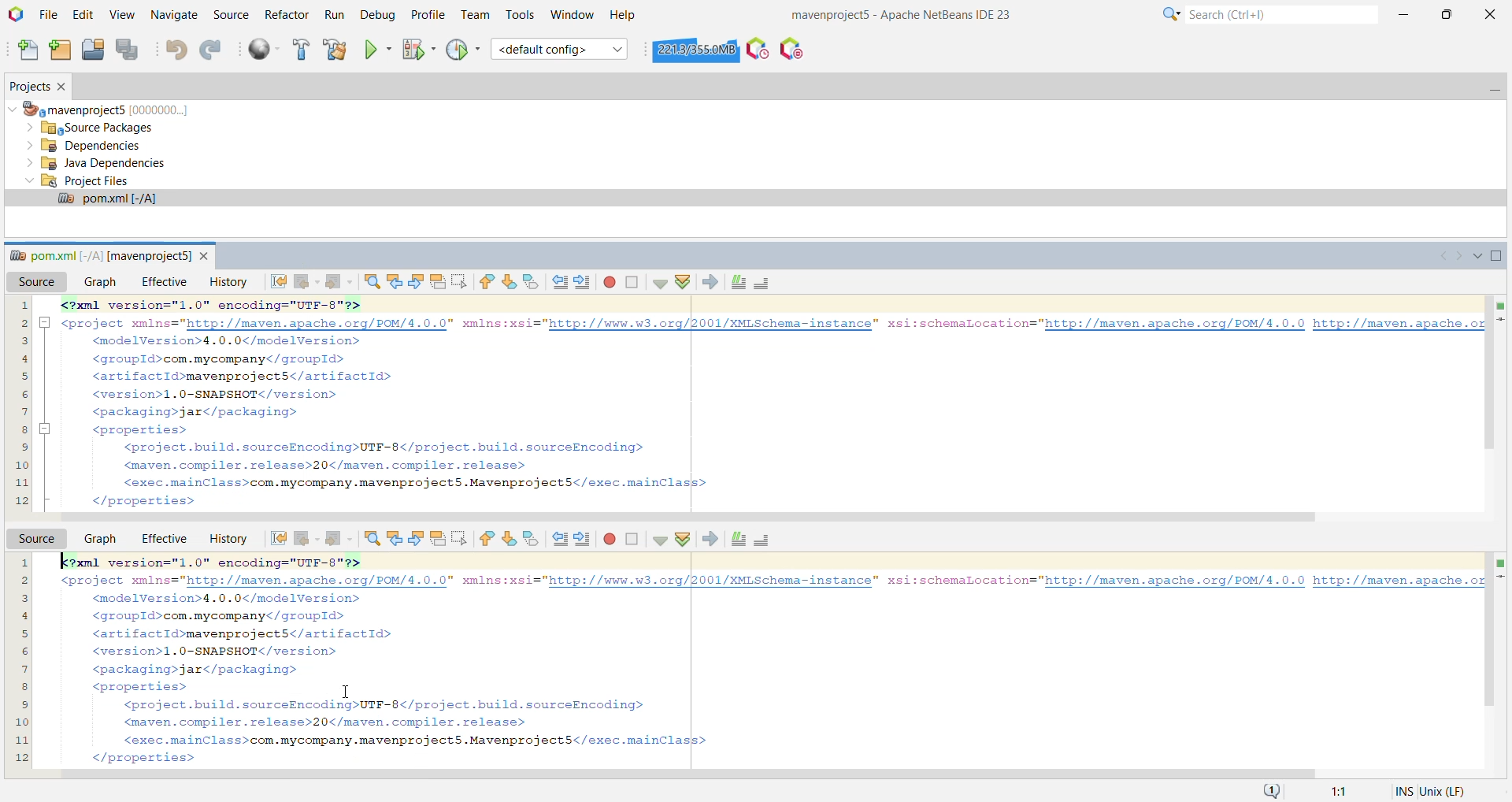 This screenshot has height=802, width=1512. I want to click on Forward, so click(339, 539).